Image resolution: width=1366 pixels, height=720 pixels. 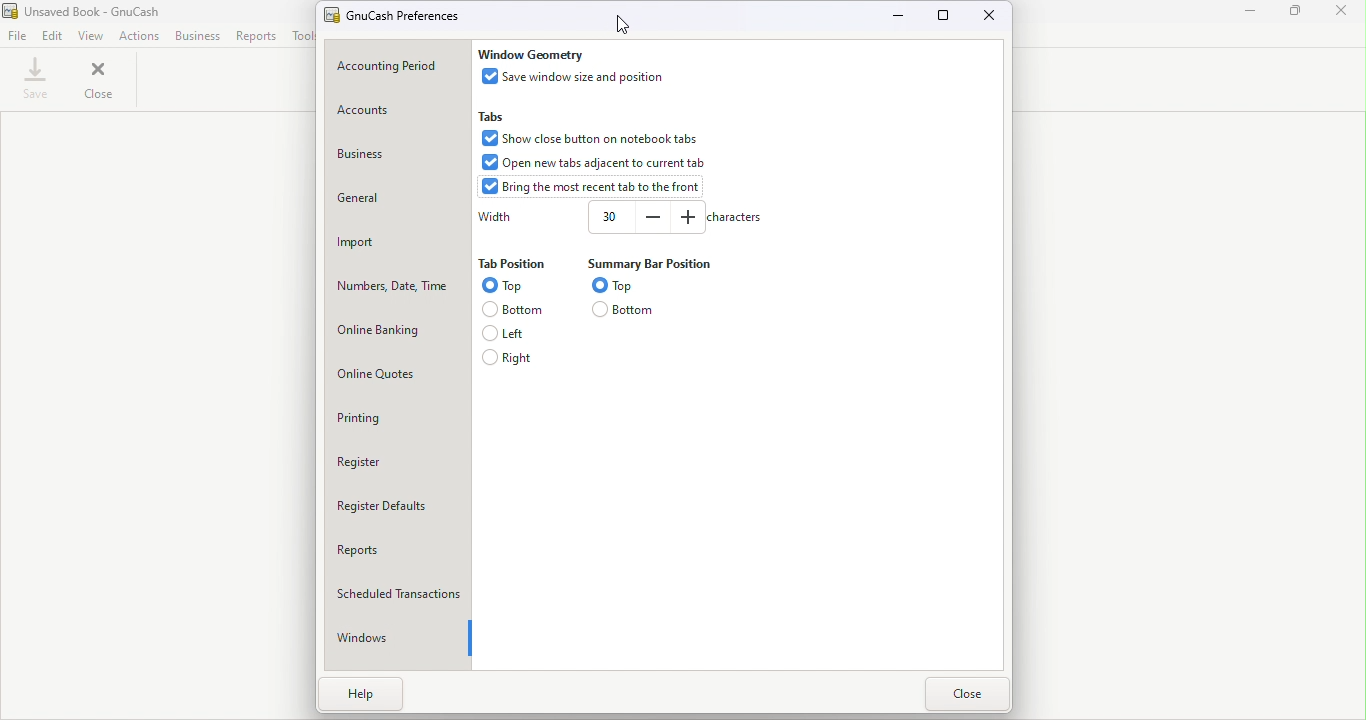 I want to click on Top, so click(x=502, y=286).